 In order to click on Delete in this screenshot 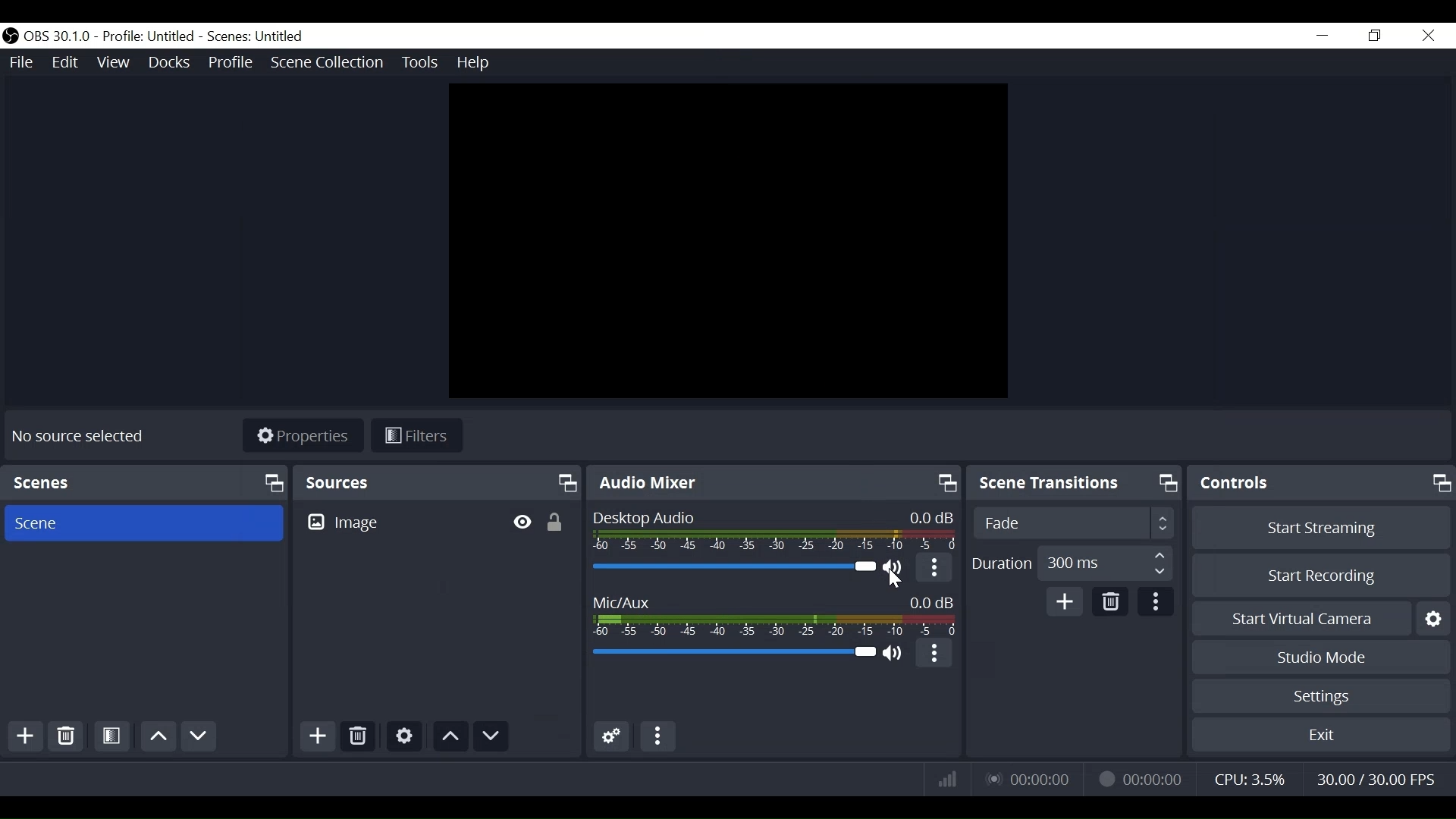, I will do `click(67, 736)`.